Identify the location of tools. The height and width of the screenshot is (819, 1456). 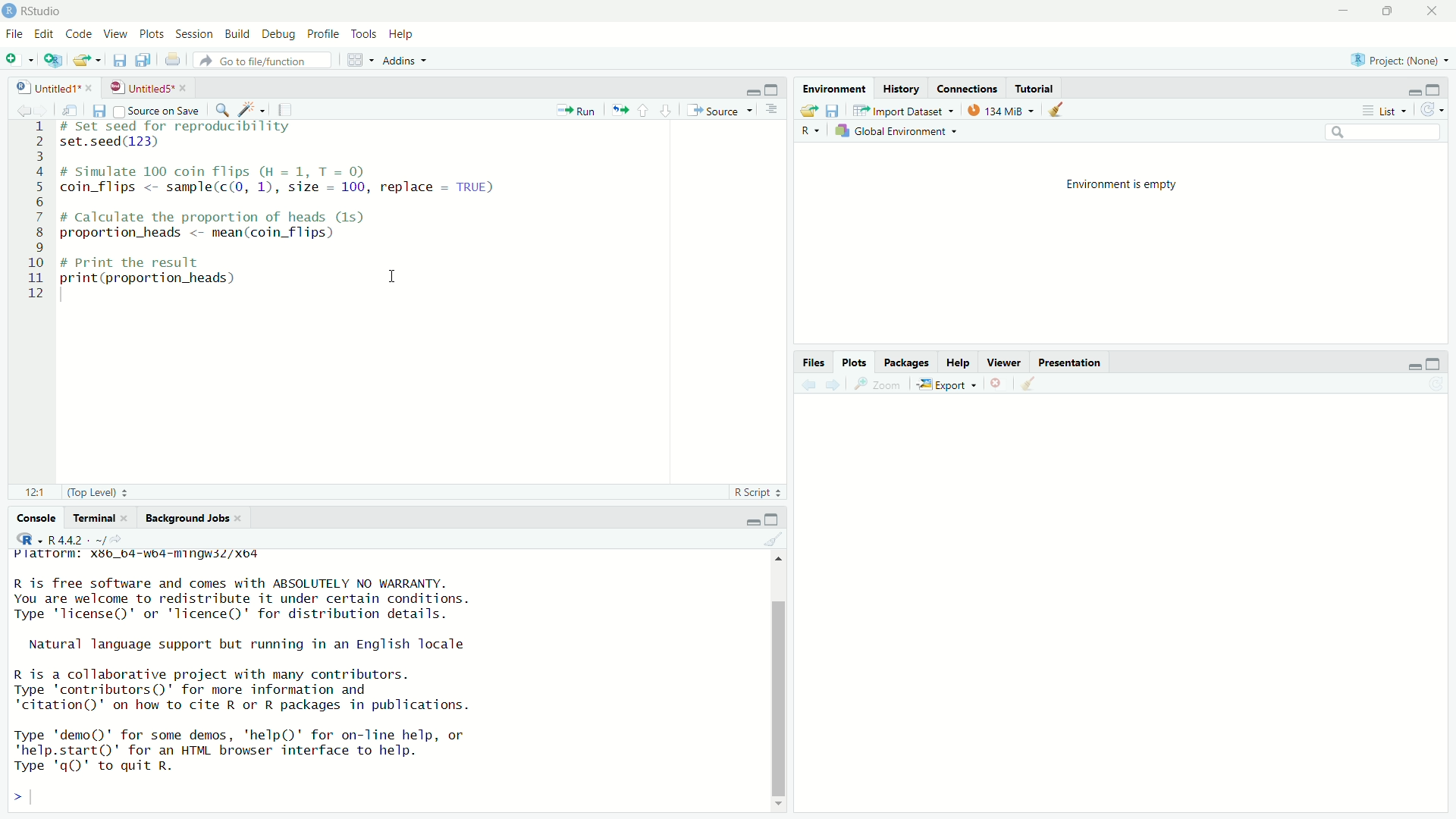
(364, 33).